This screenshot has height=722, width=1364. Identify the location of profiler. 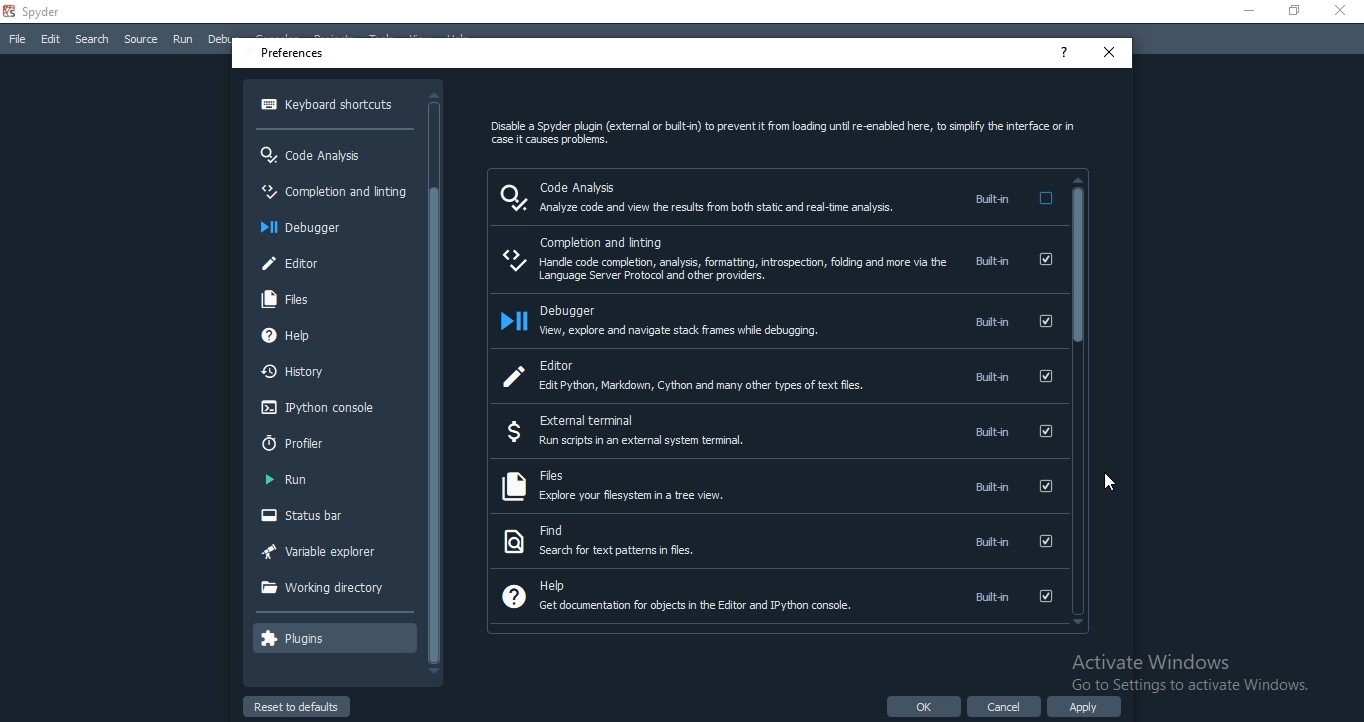
(326, 444).